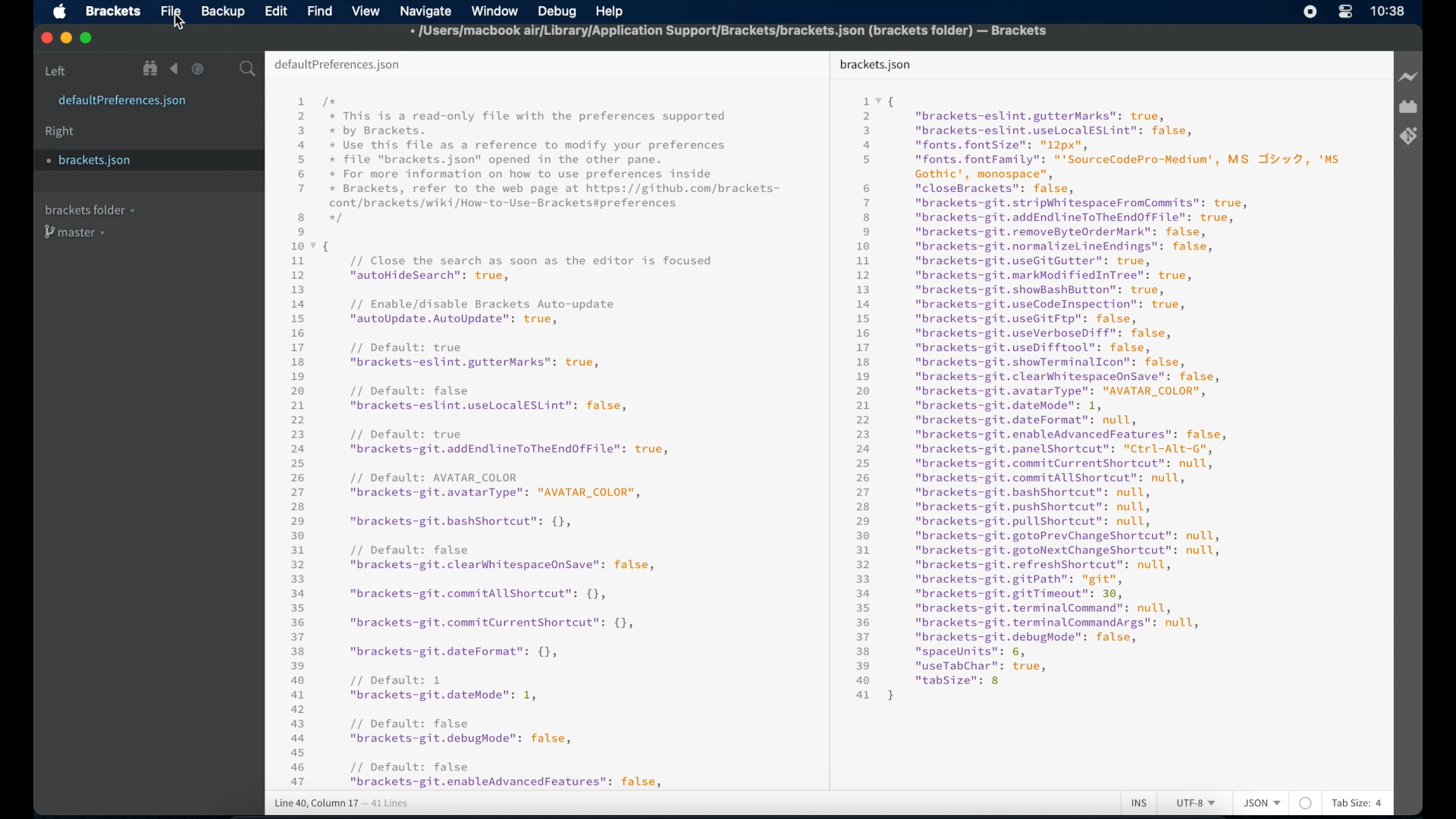 The height and width of the screenshot is (819, 1456). I want to click on cursor, so click(179, 22).